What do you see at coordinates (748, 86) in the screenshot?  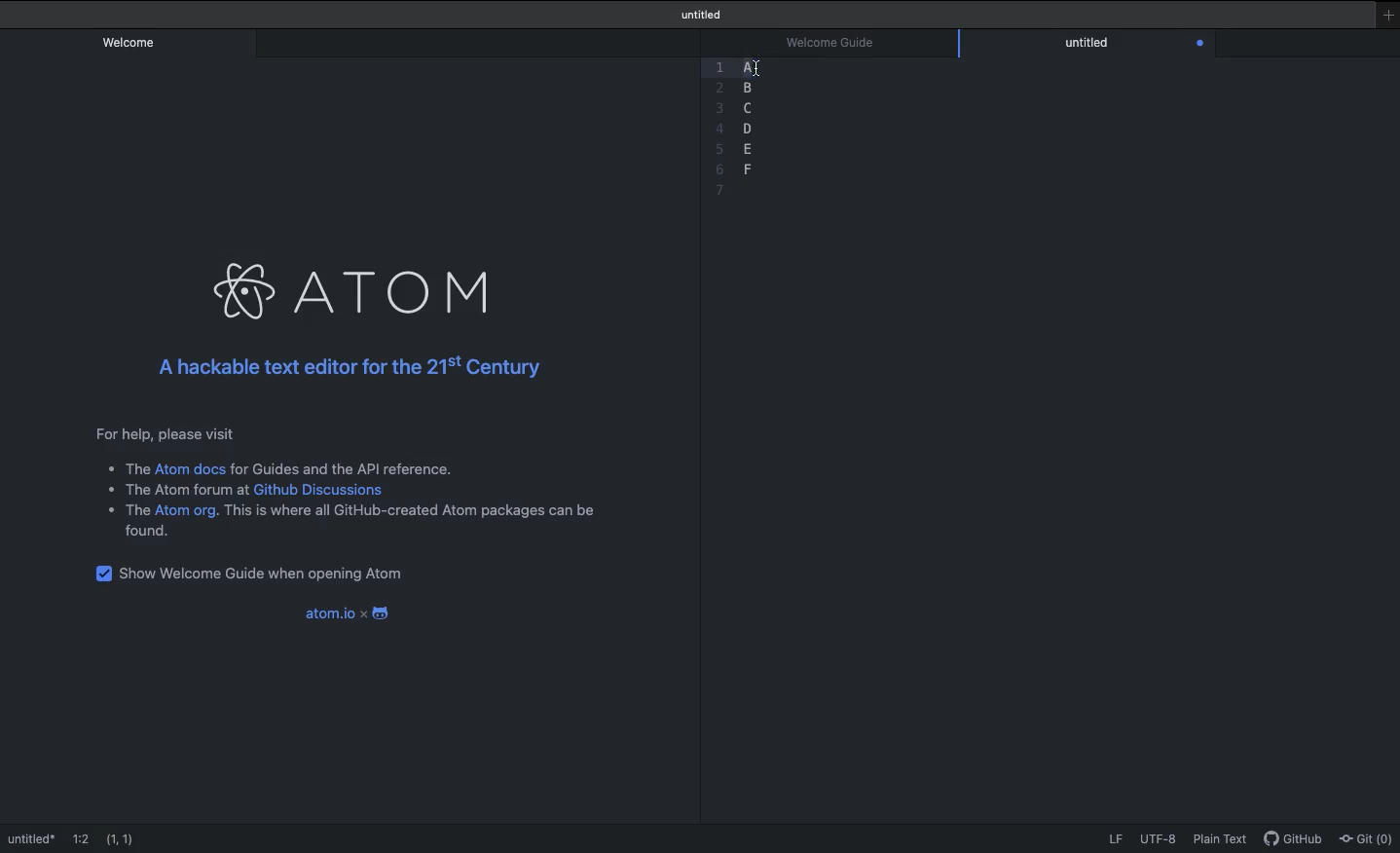 I see `b` at bounding box center [748, 86].